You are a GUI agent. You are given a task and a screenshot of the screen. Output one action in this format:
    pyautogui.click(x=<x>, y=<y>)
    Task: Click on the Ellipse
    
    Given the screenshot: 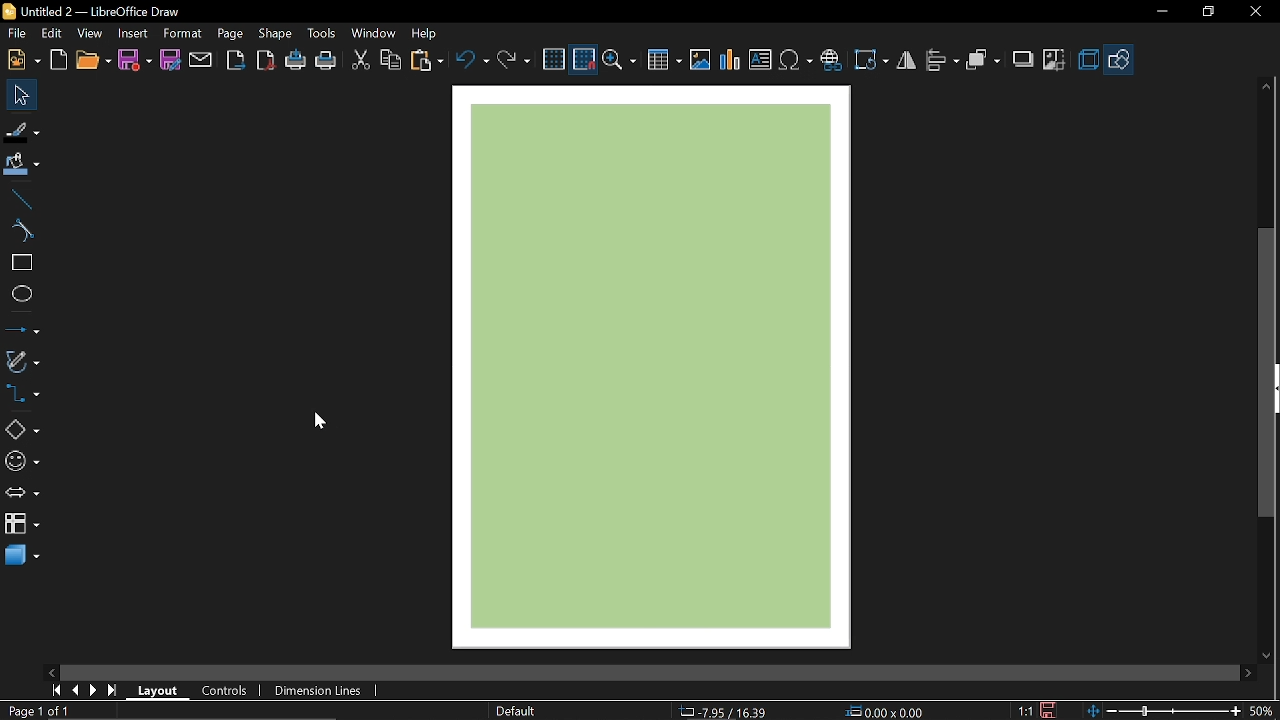 What is the action you would take?
    pyautogui.click(x=20, y=297)
    